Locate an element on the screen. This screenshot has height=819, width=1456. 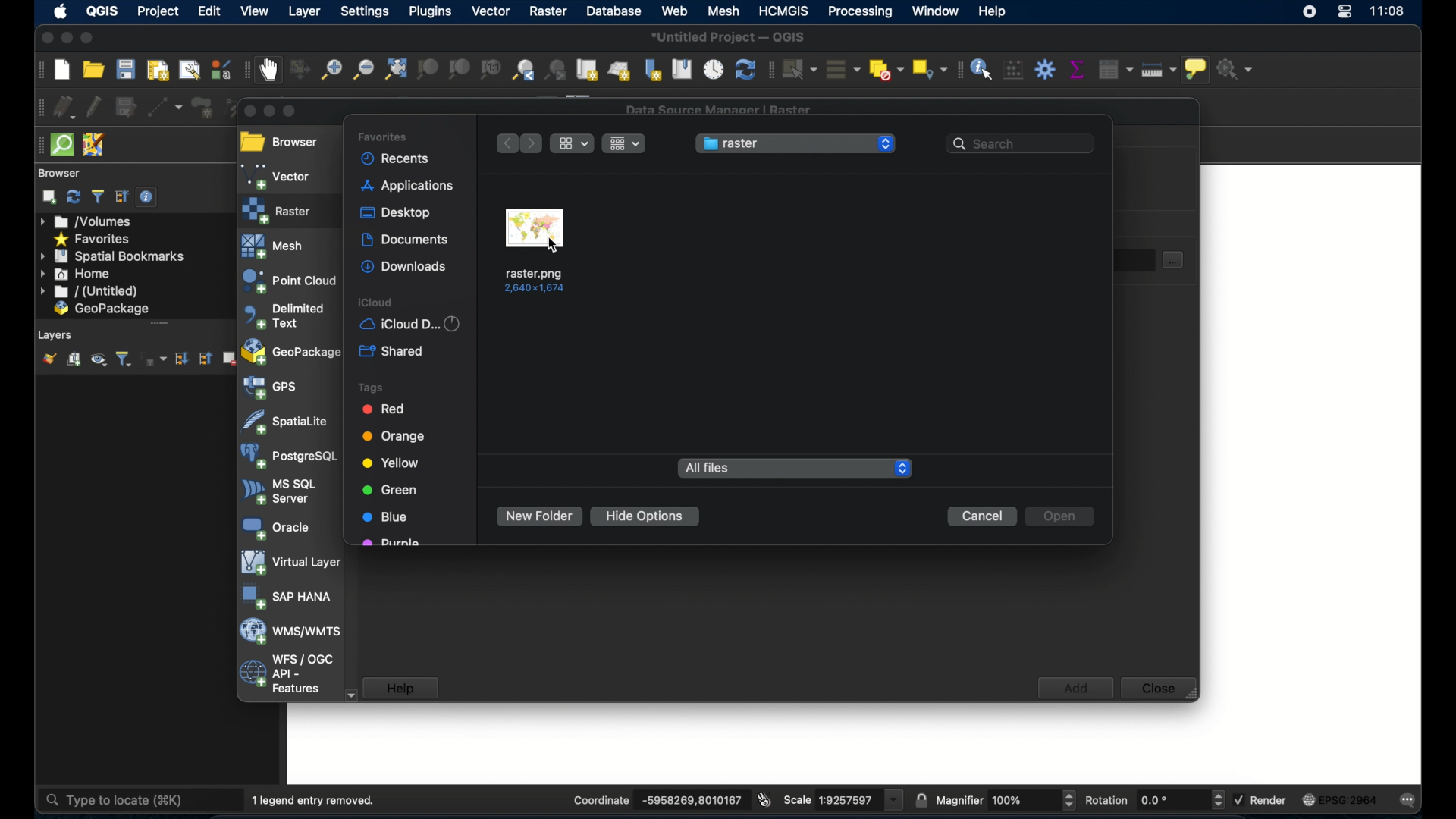
raster menu is located at coordinates (795, 143).